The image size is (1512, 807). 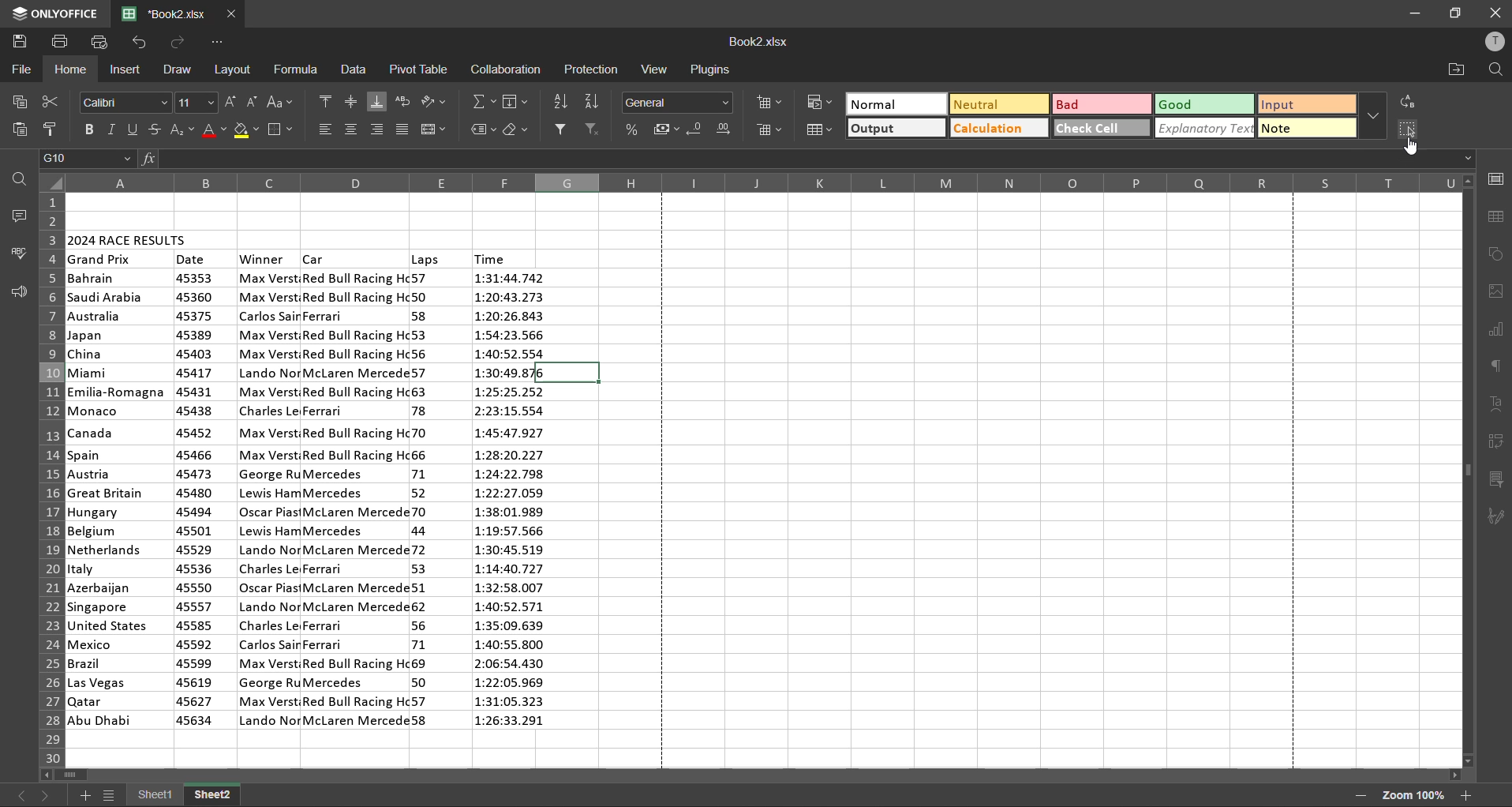 I want to click on replace, so click(x=1410, y=103).